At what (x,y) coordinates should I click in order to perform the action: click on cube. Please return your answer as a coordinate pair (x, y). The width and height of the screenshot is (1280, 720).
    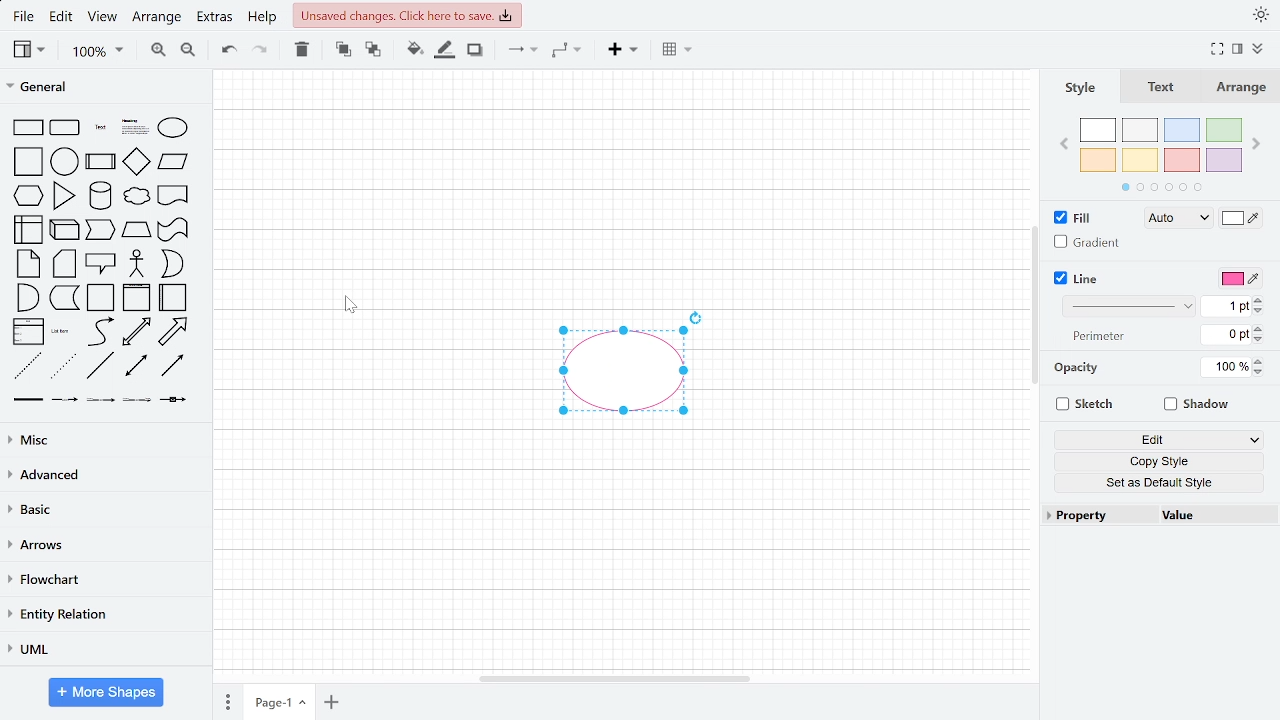
    Looking at the image, I should click on (65, 228).